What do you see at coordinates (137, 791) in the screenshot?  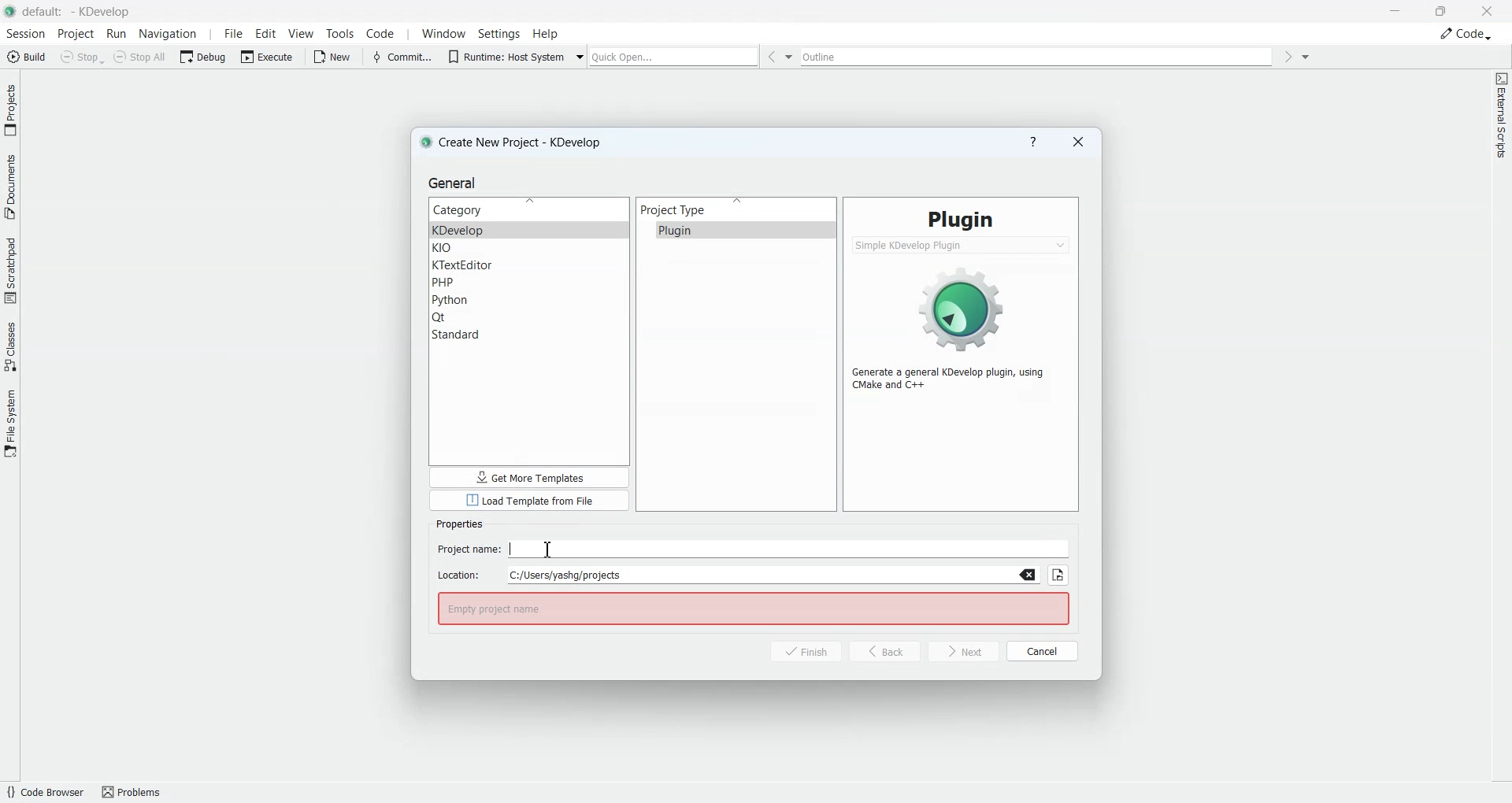 I see `Problems` at bounding box center [137, 791].